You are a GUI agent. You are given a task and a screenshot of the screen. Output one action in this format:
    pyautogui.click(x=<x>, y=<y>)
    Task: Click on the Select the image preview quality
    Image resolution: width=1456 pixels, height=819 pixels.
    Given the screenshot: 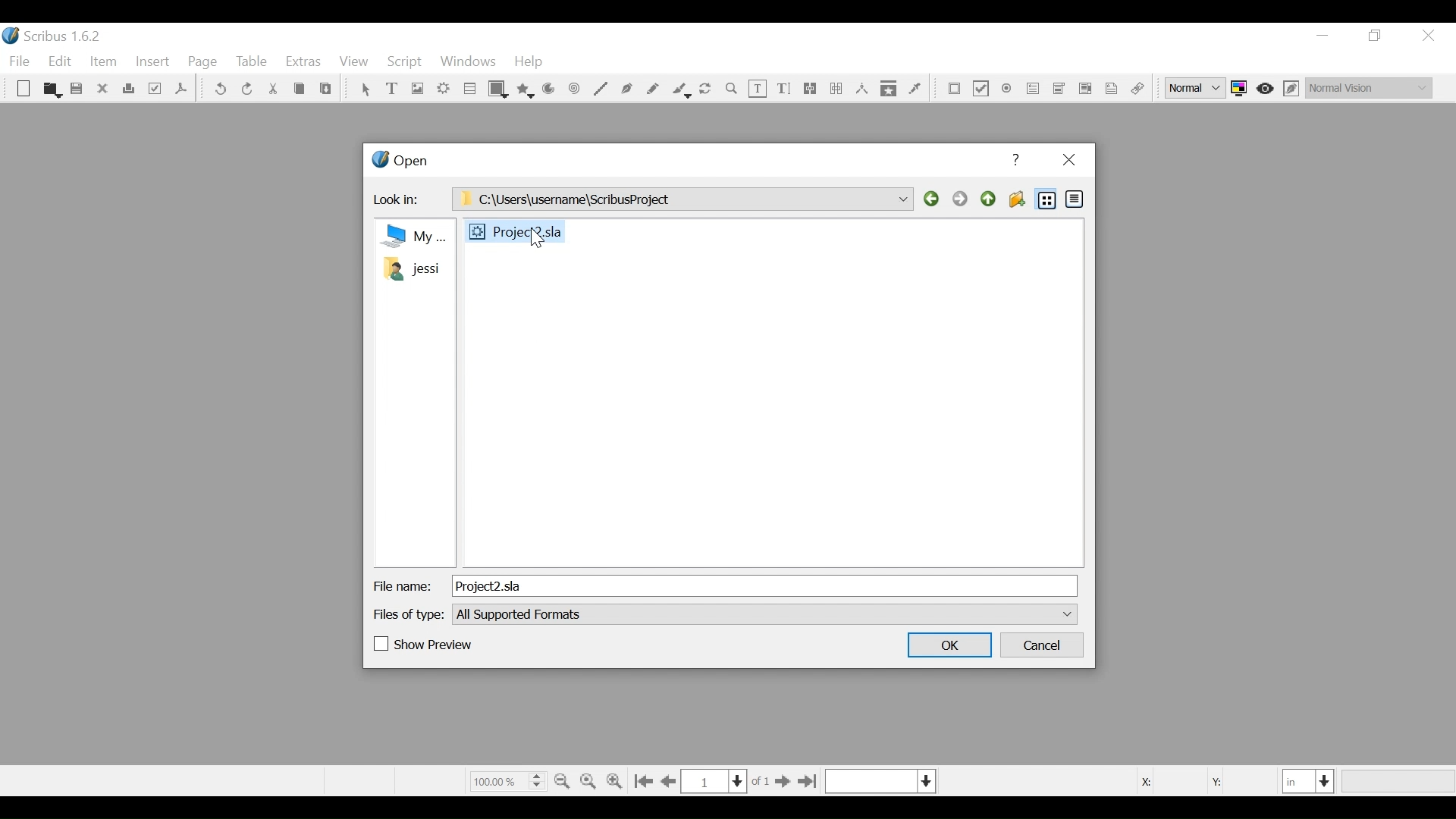 What is the action you would take?
    pyautogui.click(x=1197, y=88)
    